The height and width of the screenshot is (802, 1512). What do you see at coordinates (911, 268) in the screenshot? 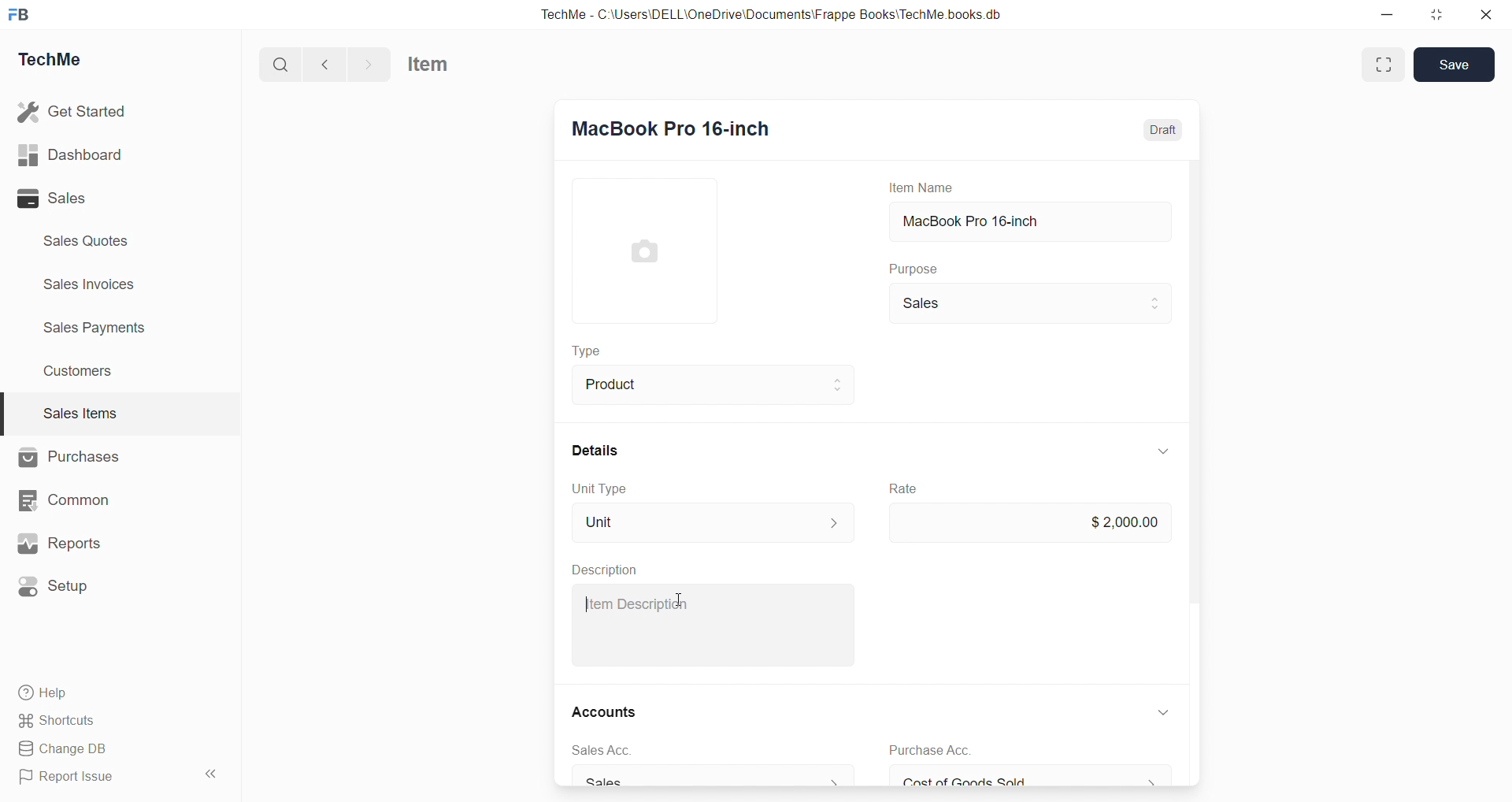
I see `Purpose` at bounding box center [911, 268].